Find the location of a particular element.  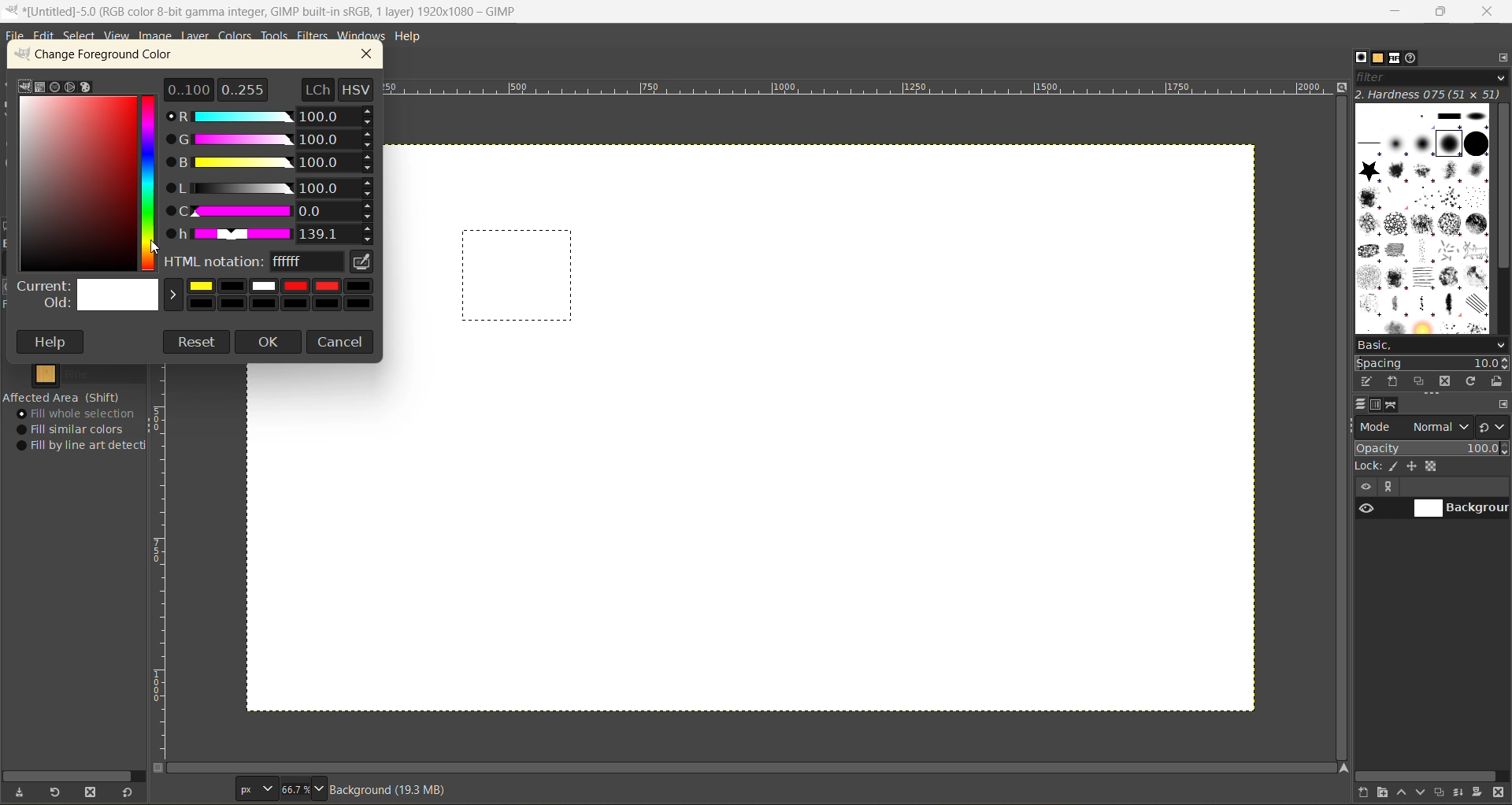

color shade is located at coordinates (78, 184).